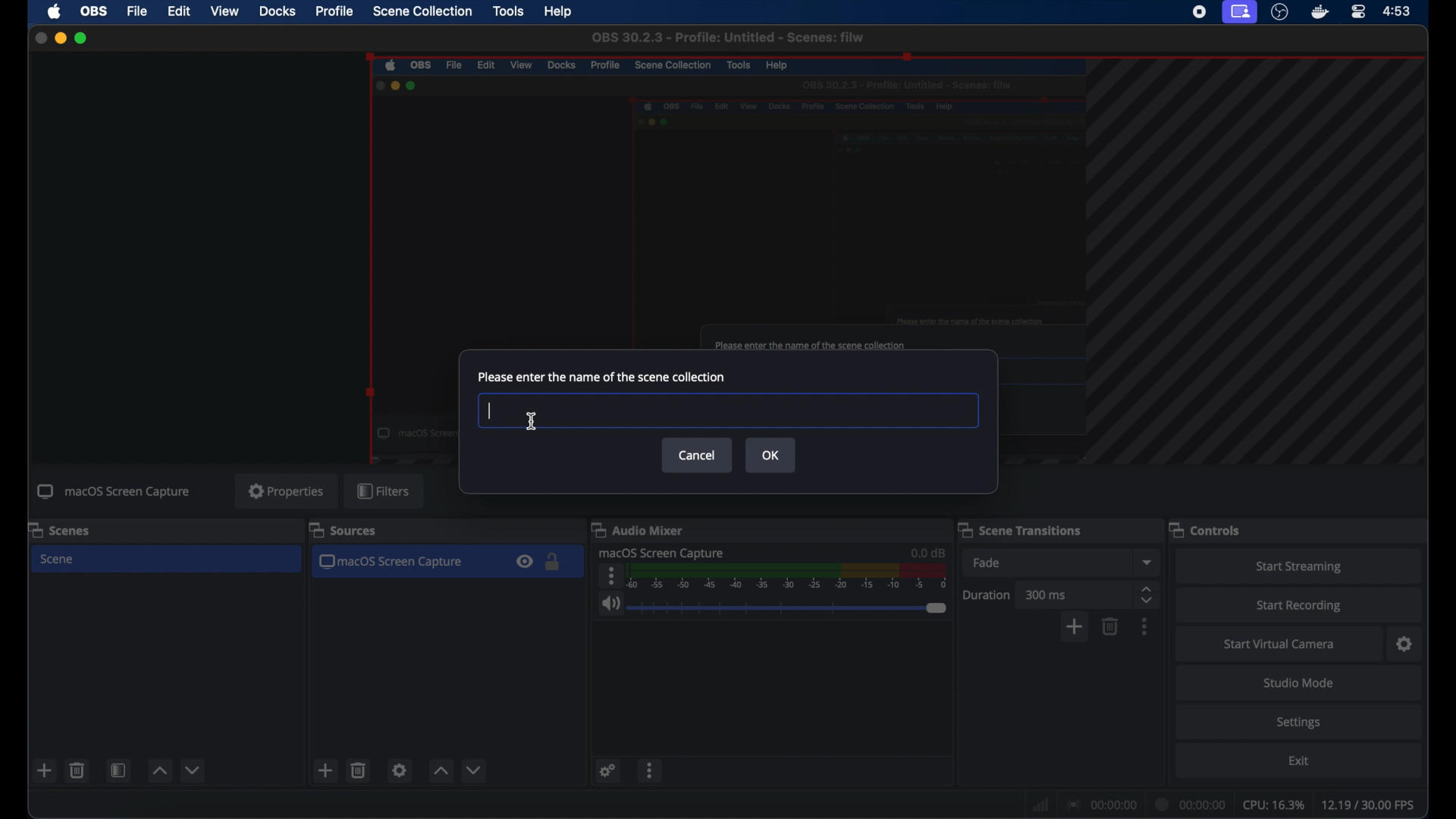 This screenshot has width=1456, height=819. Describe the element at coordinates (1297, 565) in the screenshot. I see `start streaming` at that location.